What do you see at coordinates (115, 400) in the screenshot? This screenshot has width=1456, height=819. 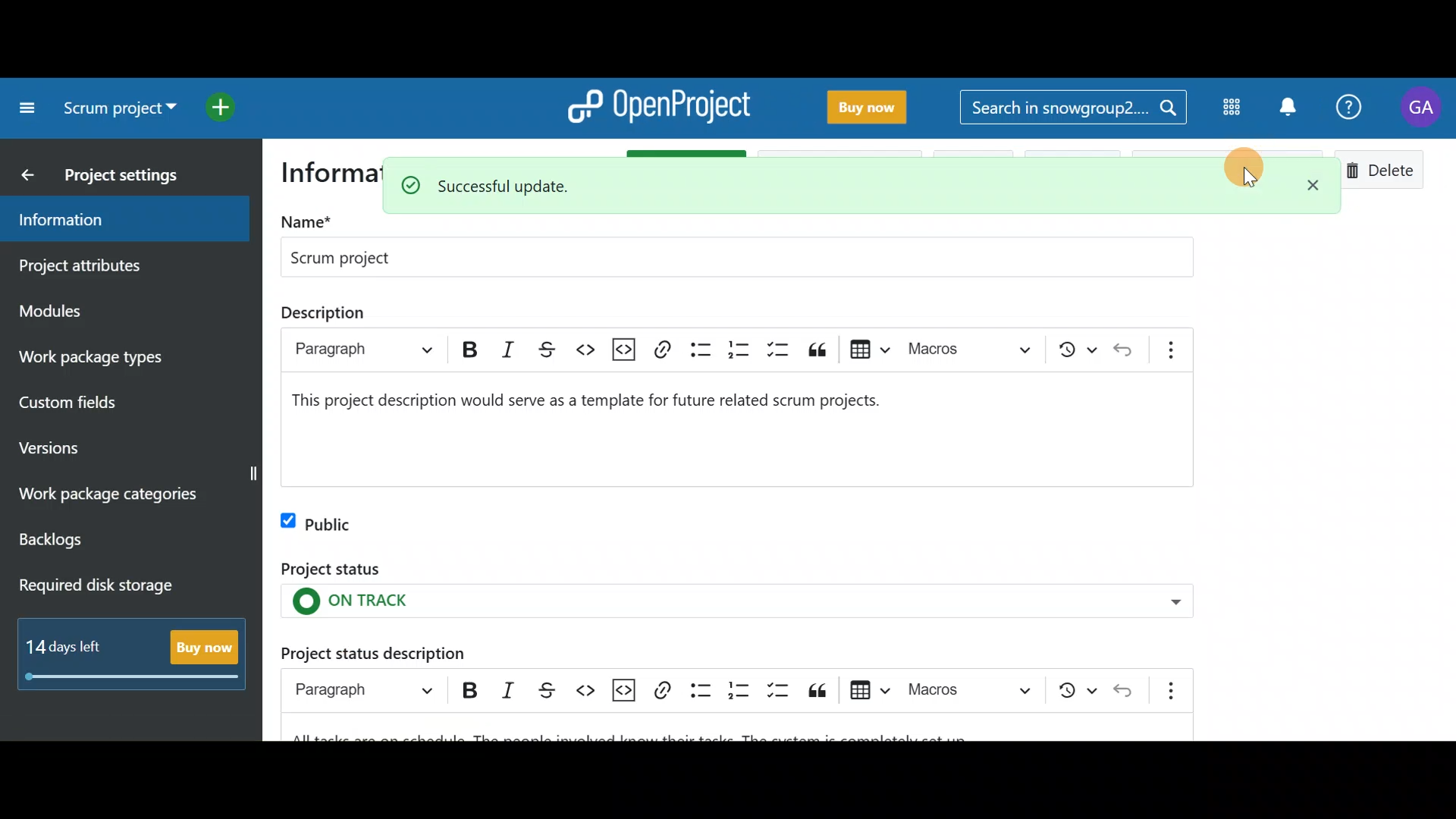 I see `Custom fields` at bounding box center [115, 400].